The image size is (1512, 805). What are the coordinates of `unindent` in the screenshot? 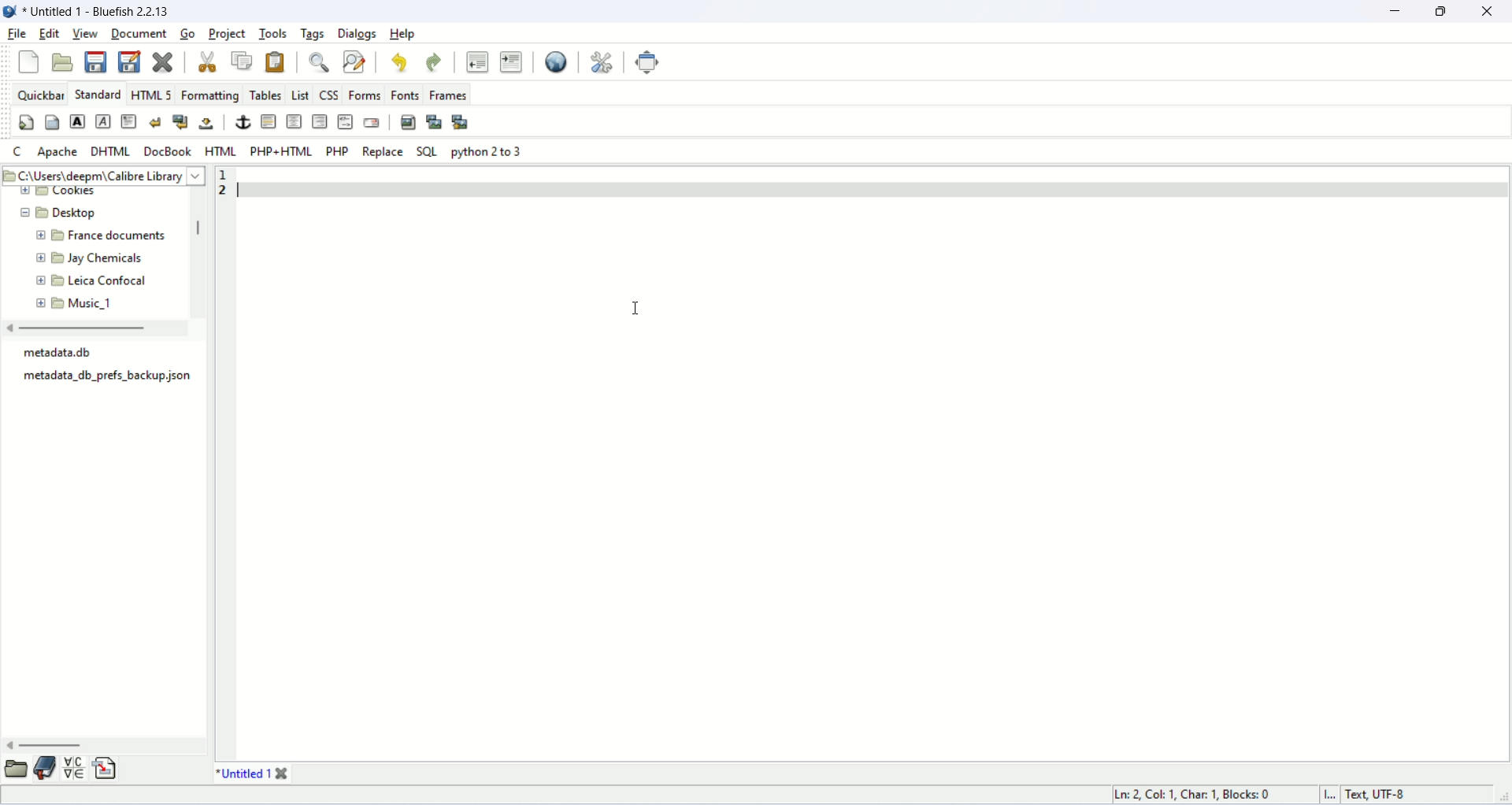 It's located at (477, 61).